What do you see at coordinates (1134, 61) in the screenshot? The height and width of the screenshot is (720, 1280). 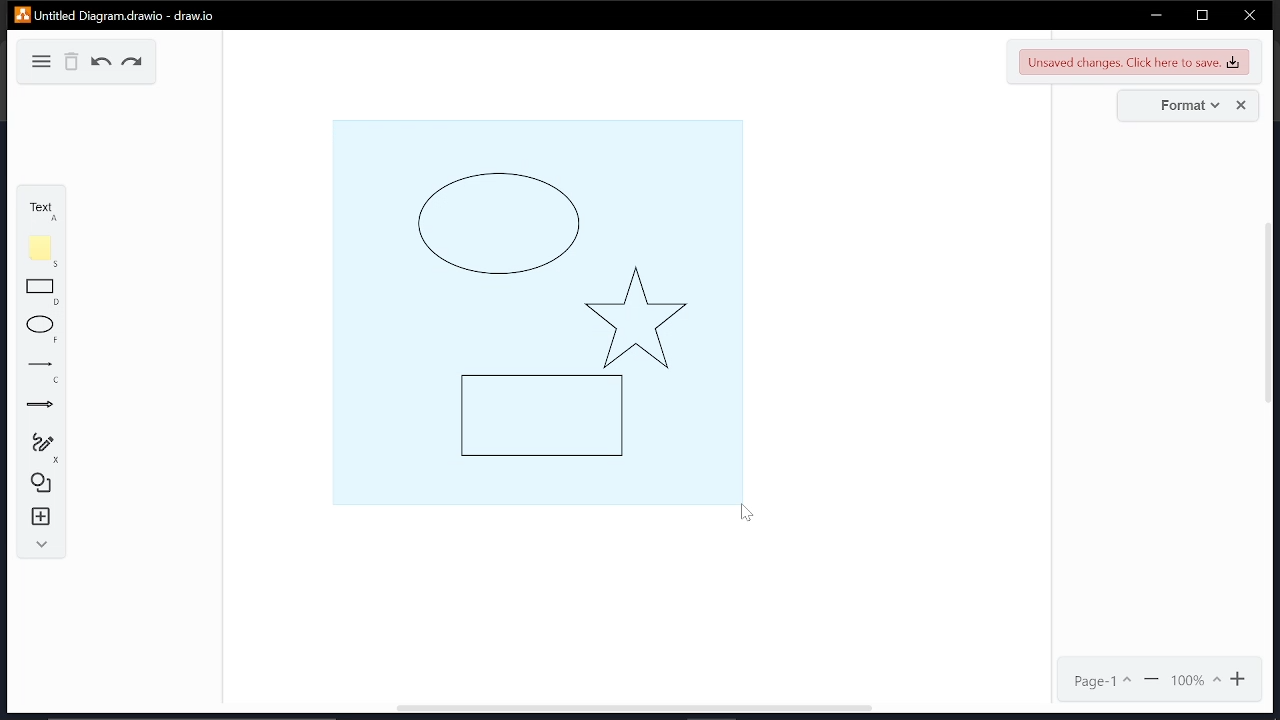 I see `unsaved changes` at bounding box center [1134, 61].